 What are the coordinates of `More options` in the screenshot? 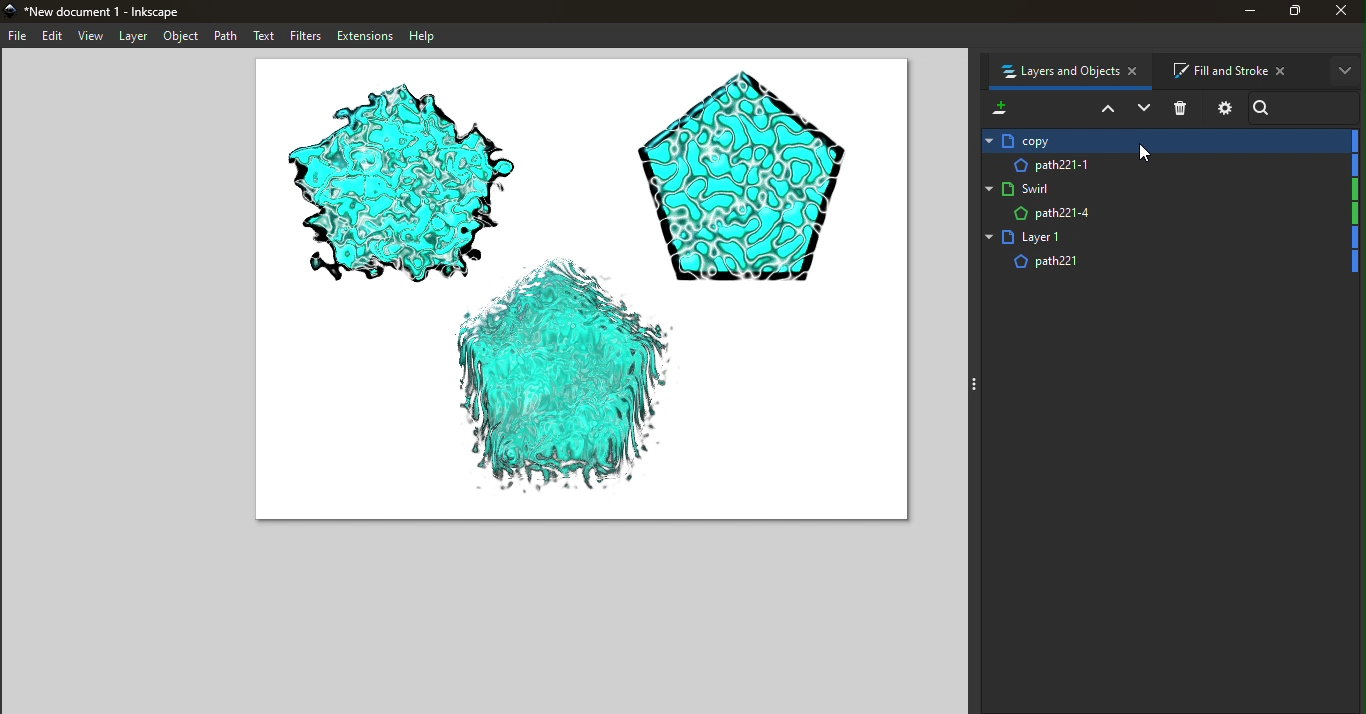 It's located at (1348, 73).